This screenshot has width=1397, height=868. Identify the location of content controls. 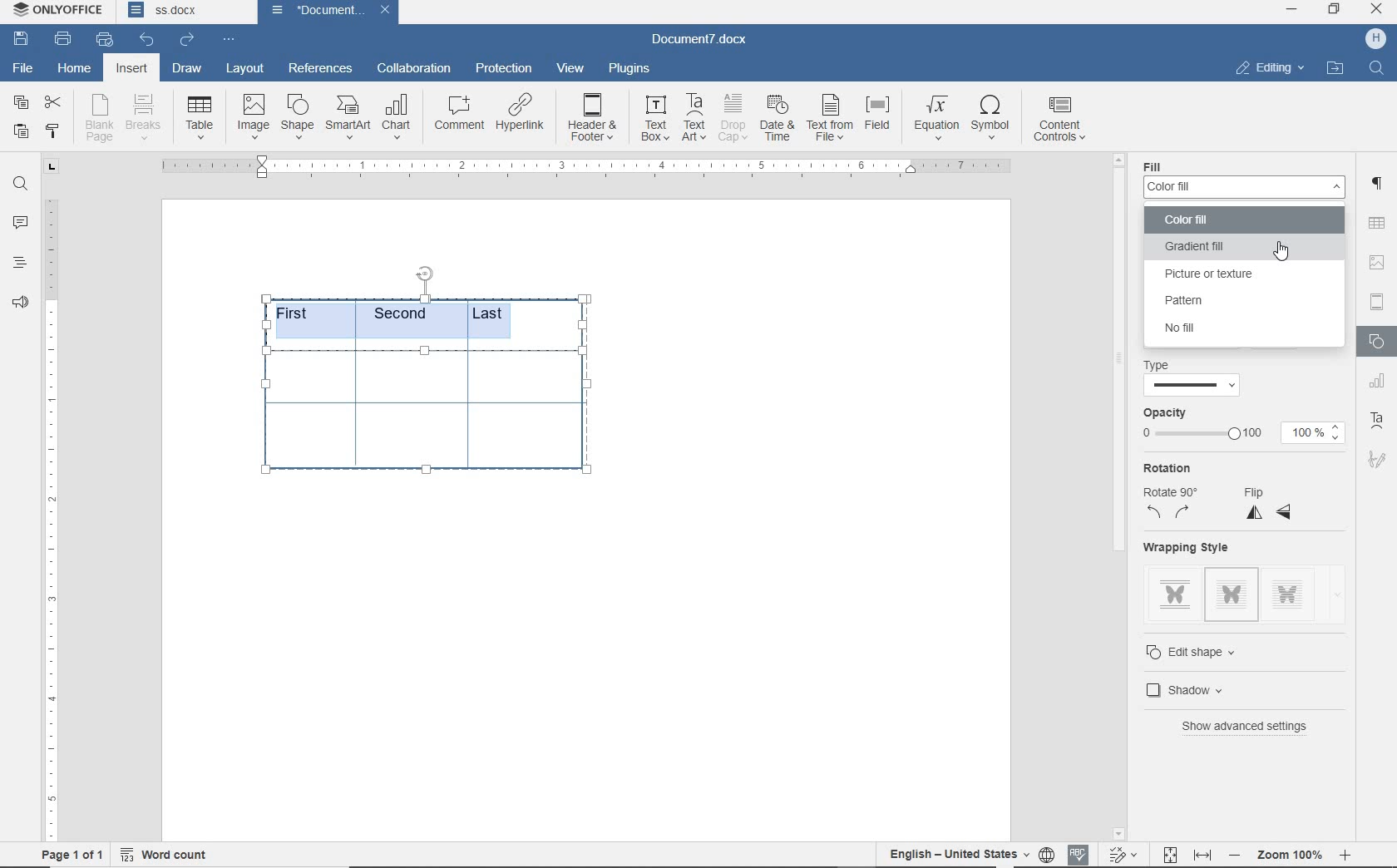
(1063, 121).